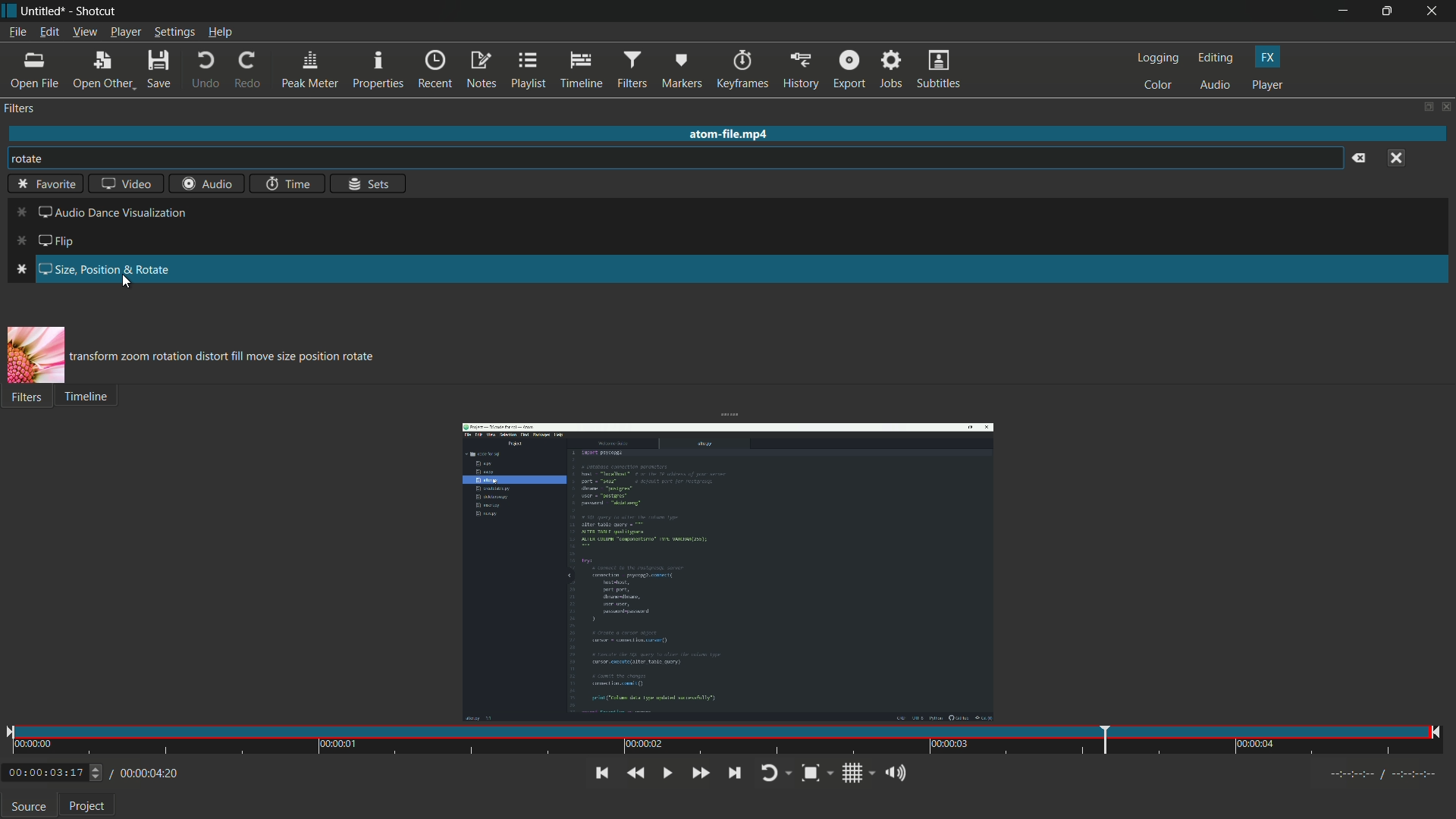 This screenshot has height=819, width=1456. I want to click on untitled, so click(43, 11).